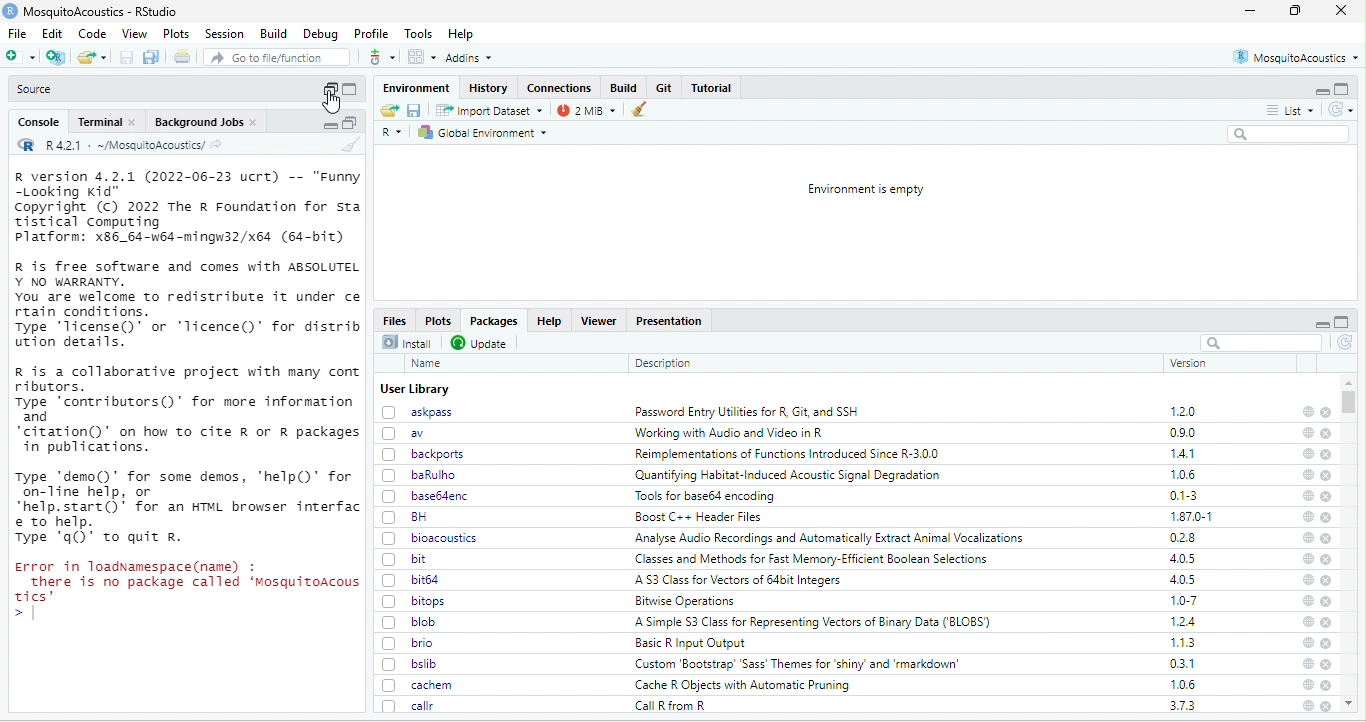 Image resolution: width=1366 pixels, height=722 pixels. What do you see at coordinates (372, 33) in the screenshot?
I see `Profile` at bounding box center [372, 33].